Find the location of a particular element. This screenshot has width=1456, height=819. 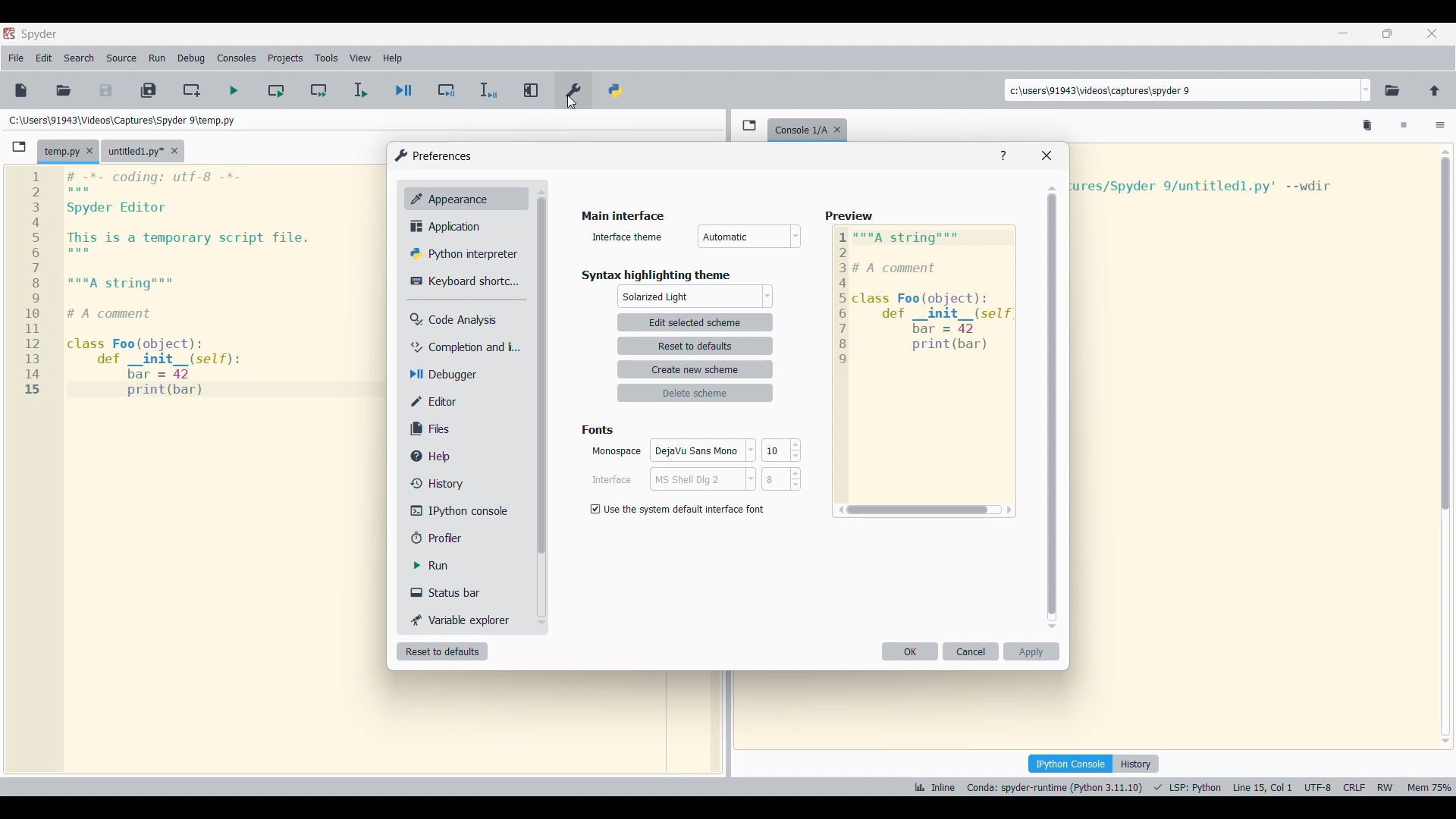

File location is located at coordinates (124, 120).